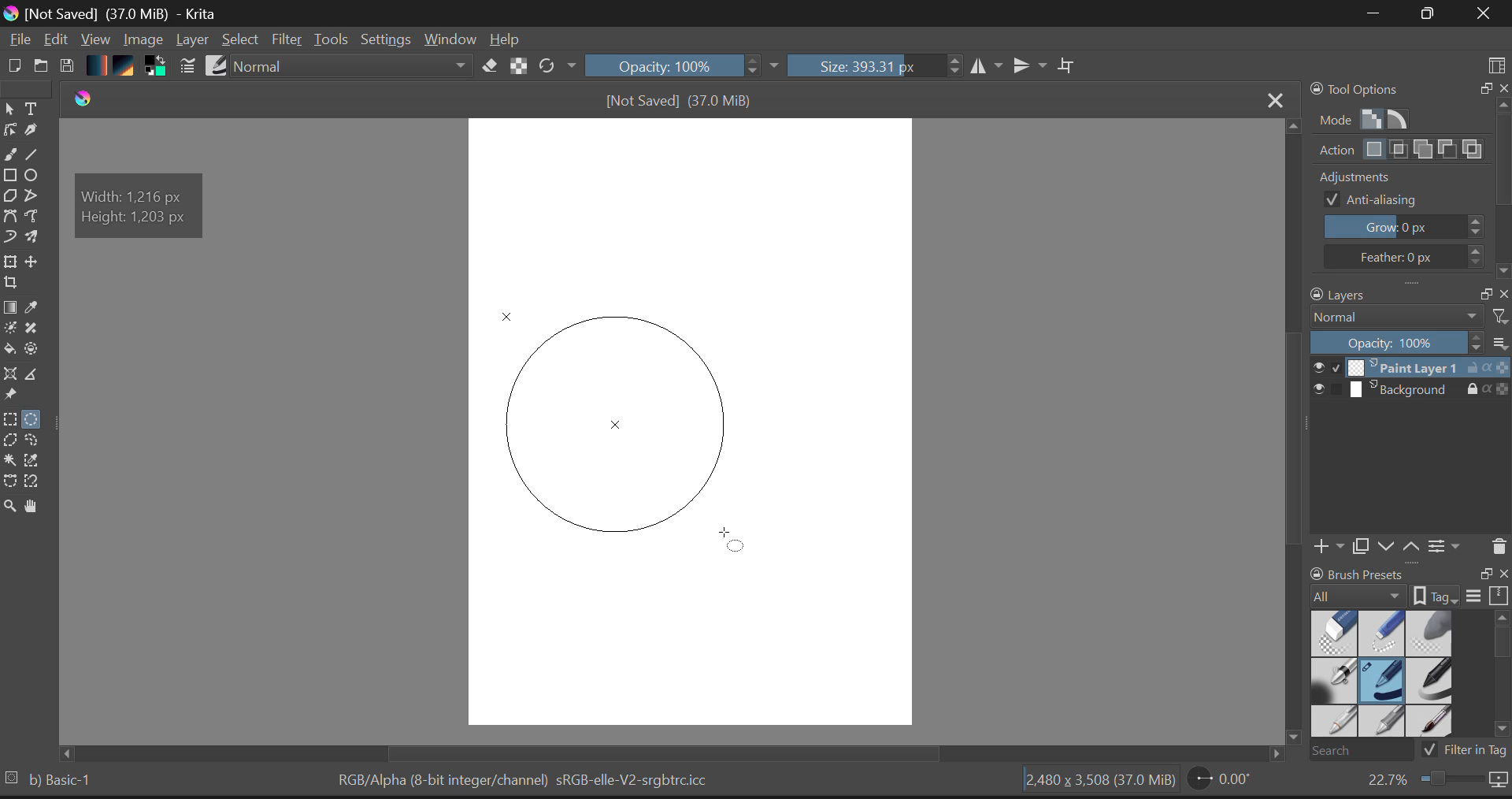 The width and height of the screenshot is (1512, 799). I want to click on Filter, so click(287, 40).